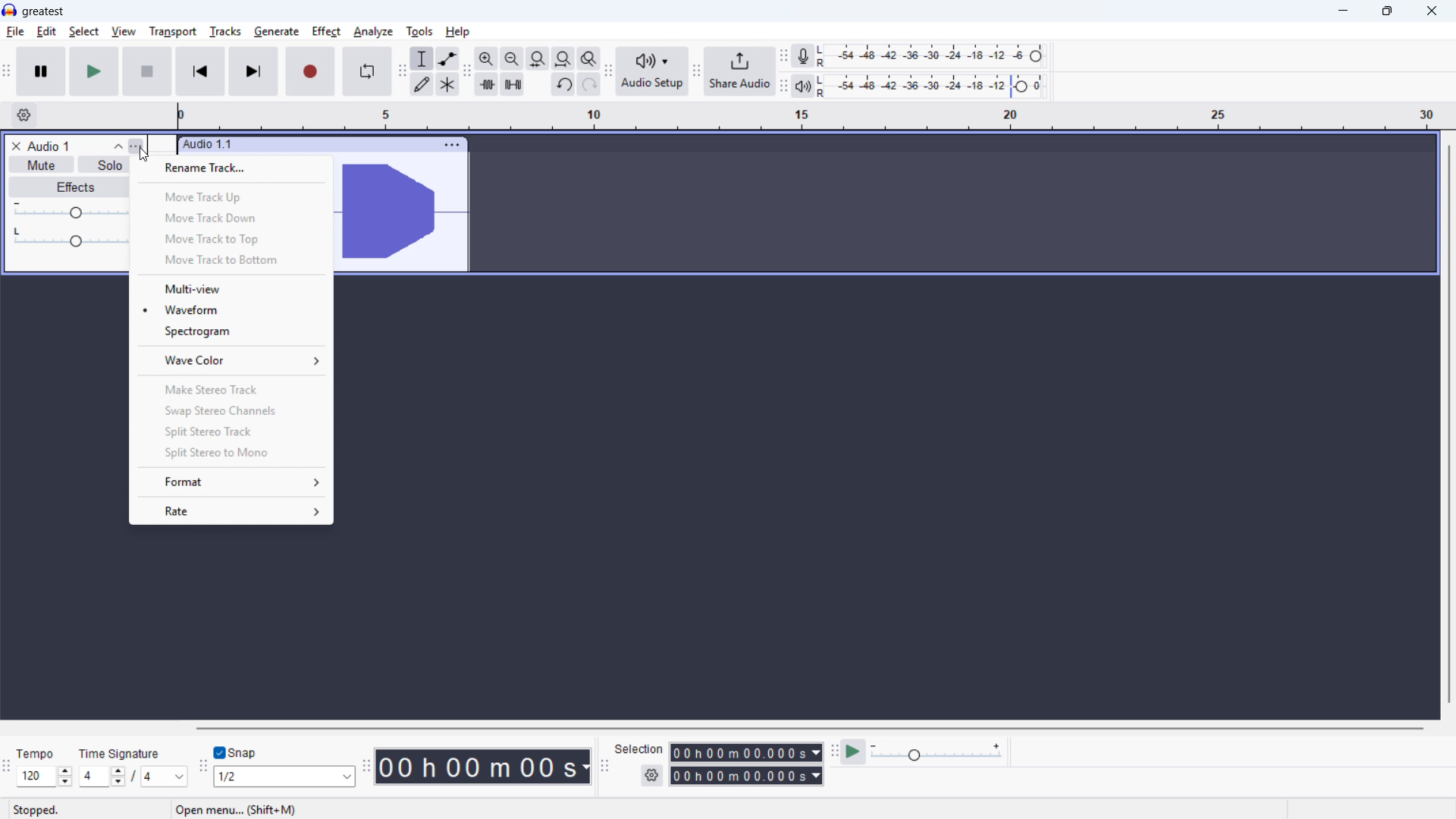 This screenshot has height=819, width=1456. What do you see at coordinates (486, 58) in the screenshot?
I see `zoom in` at bounding box center [486, 58].